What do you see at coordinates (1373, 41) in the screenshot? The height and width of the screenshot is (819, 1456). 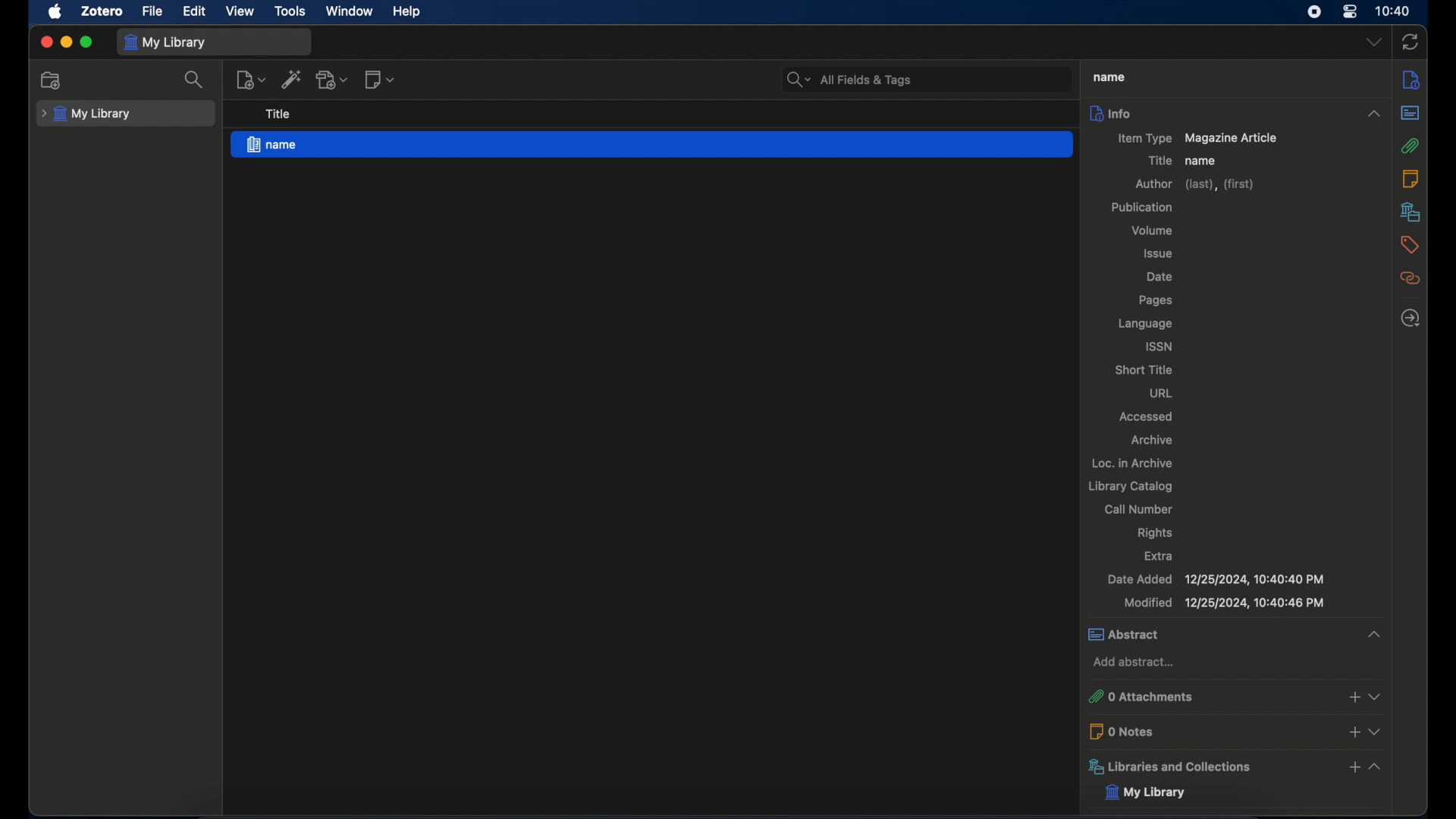 I see `dropdown` at bounding box center [1373, 41].